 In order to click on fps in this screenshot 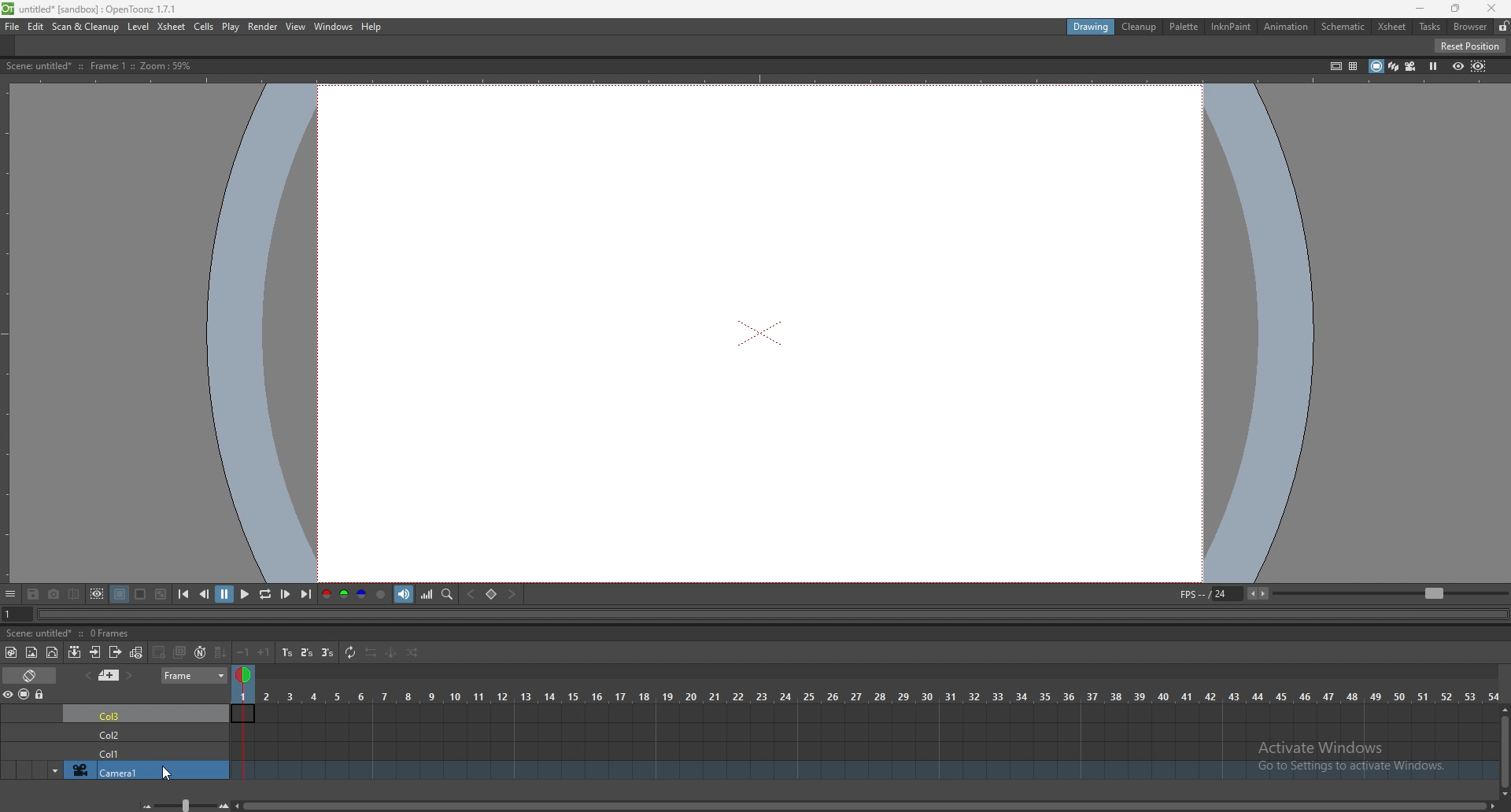, I will do `click(1226, 593)`.